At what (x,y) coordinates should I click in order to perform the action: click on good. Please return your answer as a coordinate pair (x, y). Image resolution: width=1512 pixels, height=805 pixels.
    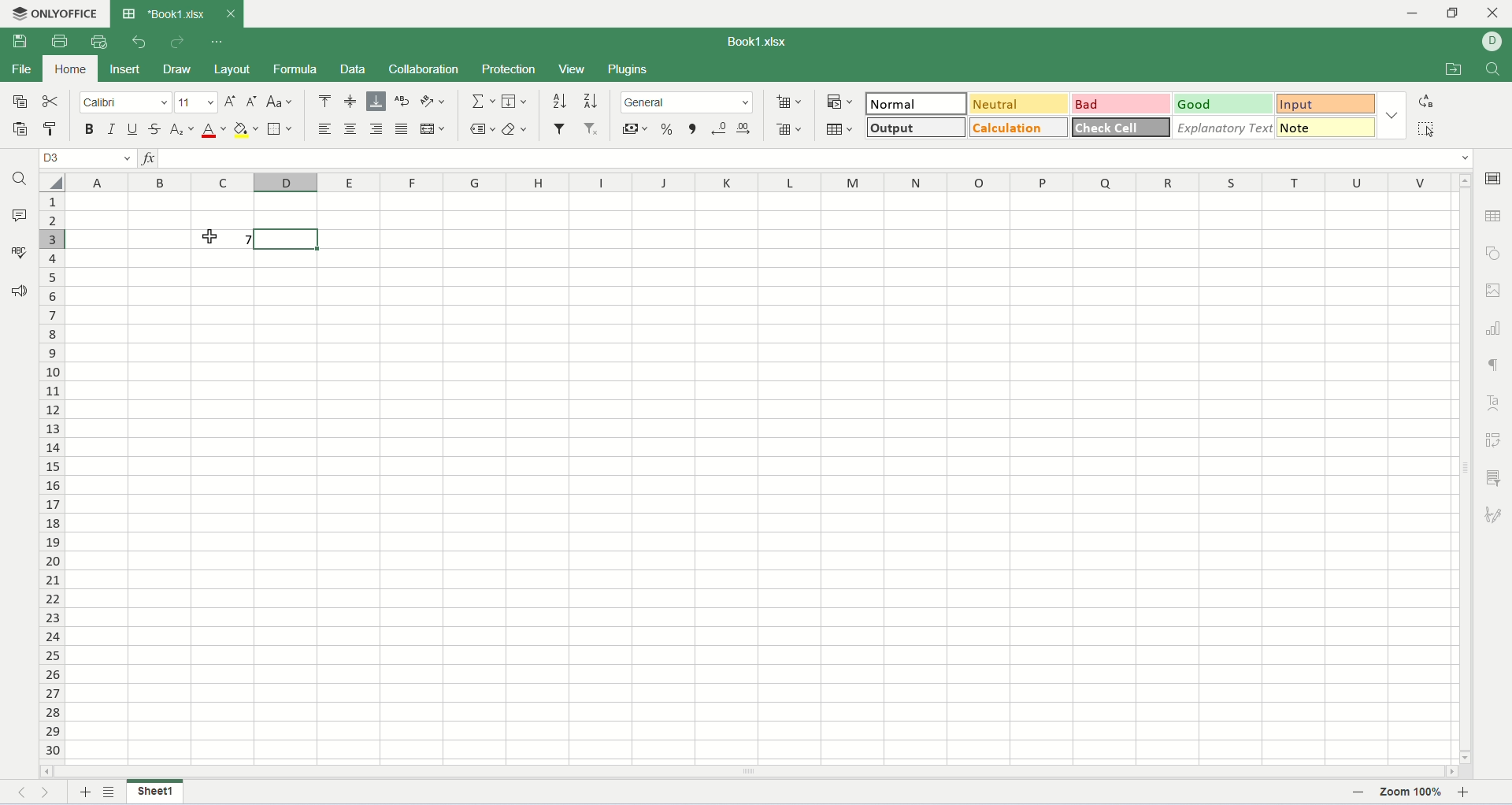
    Looking at the image, I should click on (1223, 104).